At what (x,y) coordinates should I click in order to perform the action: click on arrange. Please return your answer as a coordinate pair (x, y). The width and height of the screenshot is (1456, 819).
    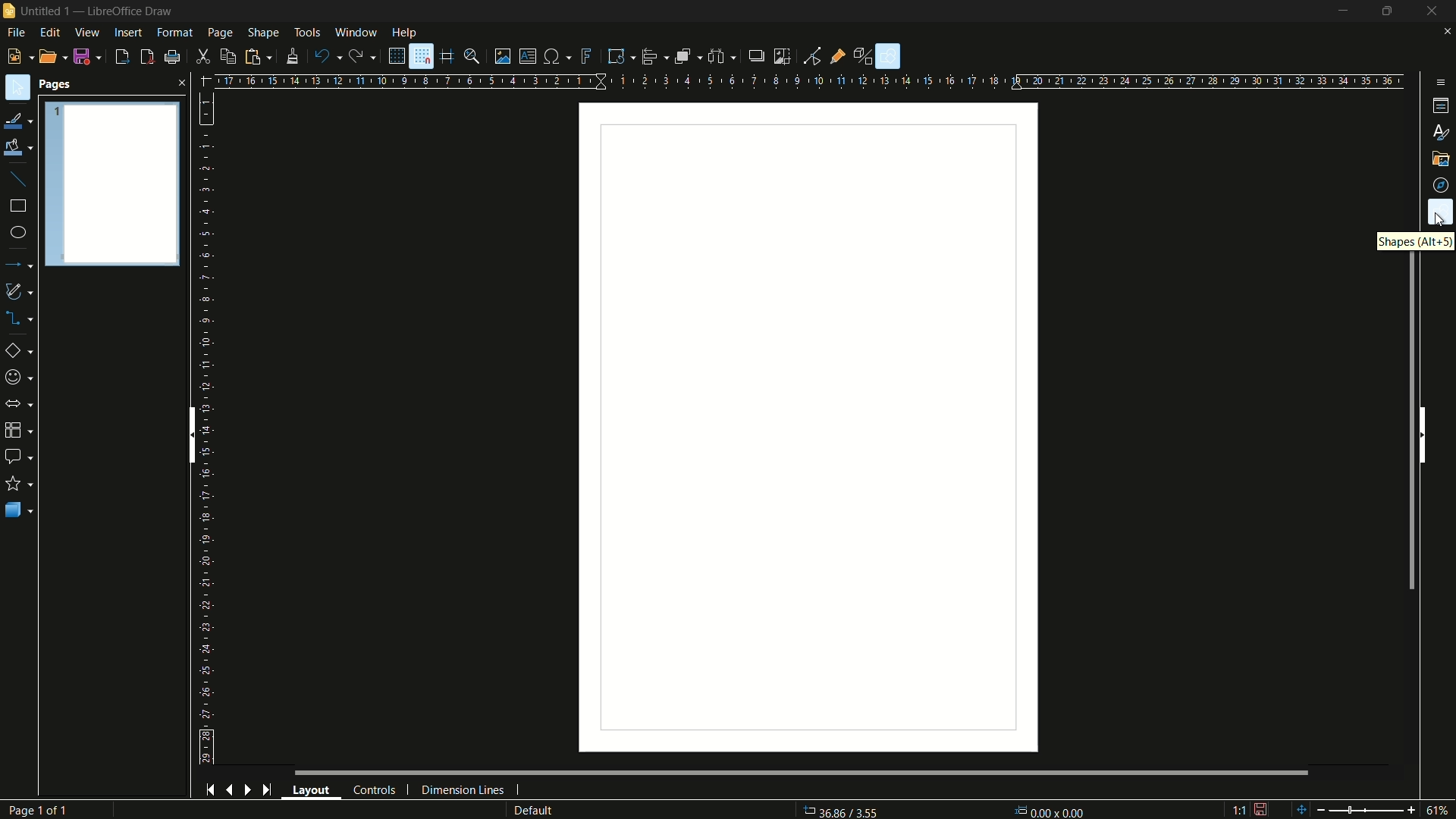
    Looking at the image, I should click on (688, 58).